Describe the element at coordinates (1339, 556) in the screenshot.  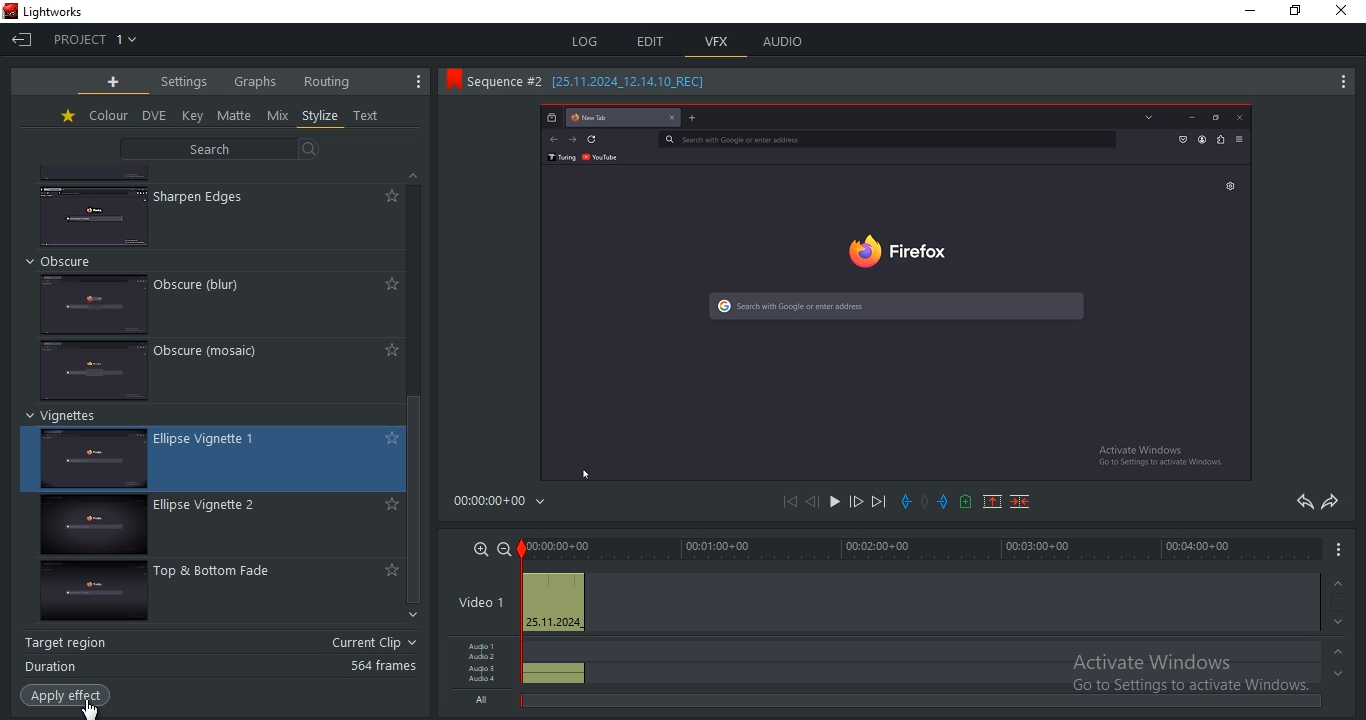
I see `Show settings menu` at that location.